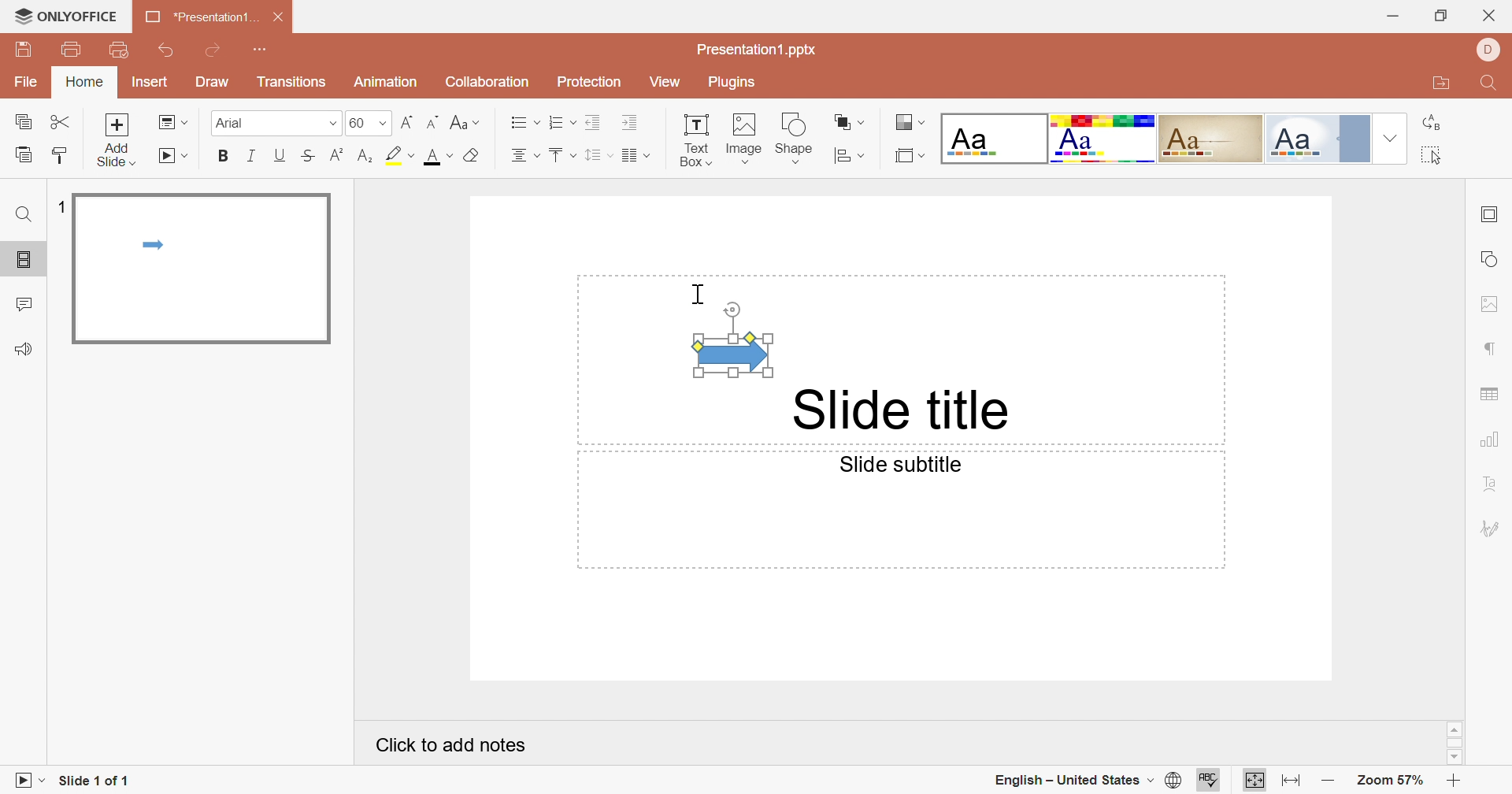 This screenshot has height=794, width=1512. What do you see at coordinates (1174, 781) in the screenshot?
I see `Set document language` at bounding box center [1174, 781].